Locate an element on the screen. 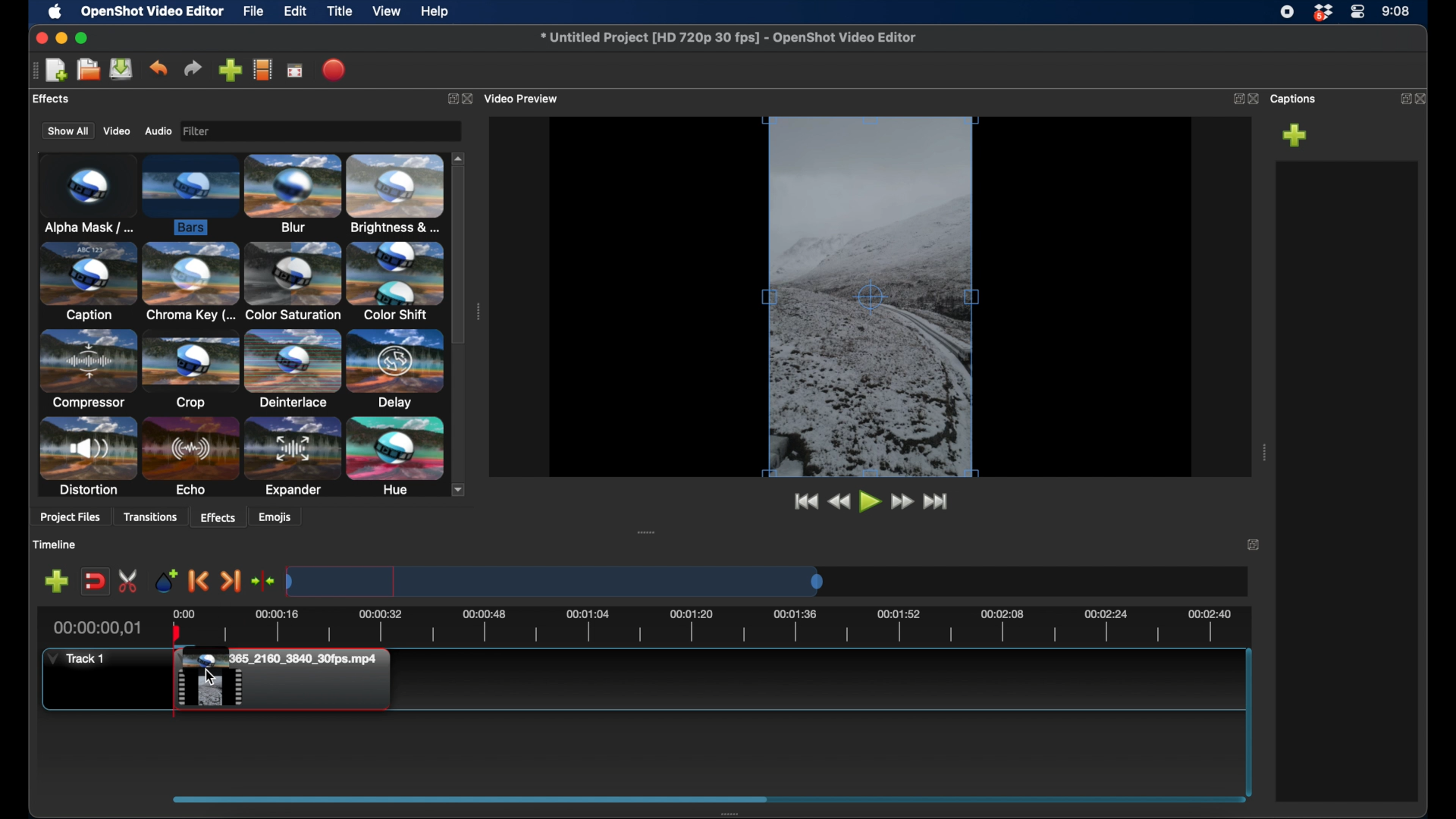  bars is located at coordinates (190, 196).